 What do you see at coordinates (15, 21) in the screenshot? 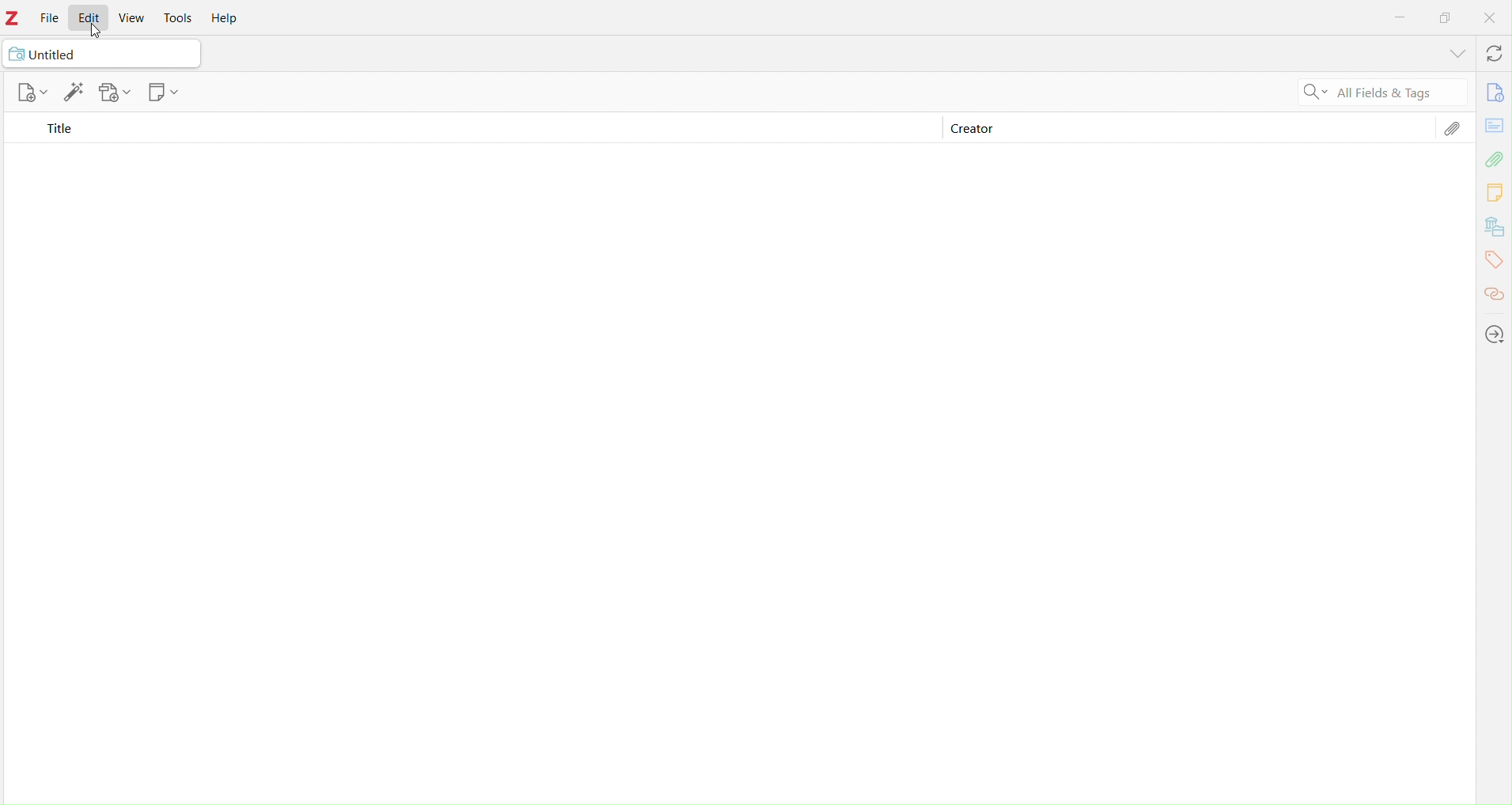
I see `` at bounding box center [15, 21].